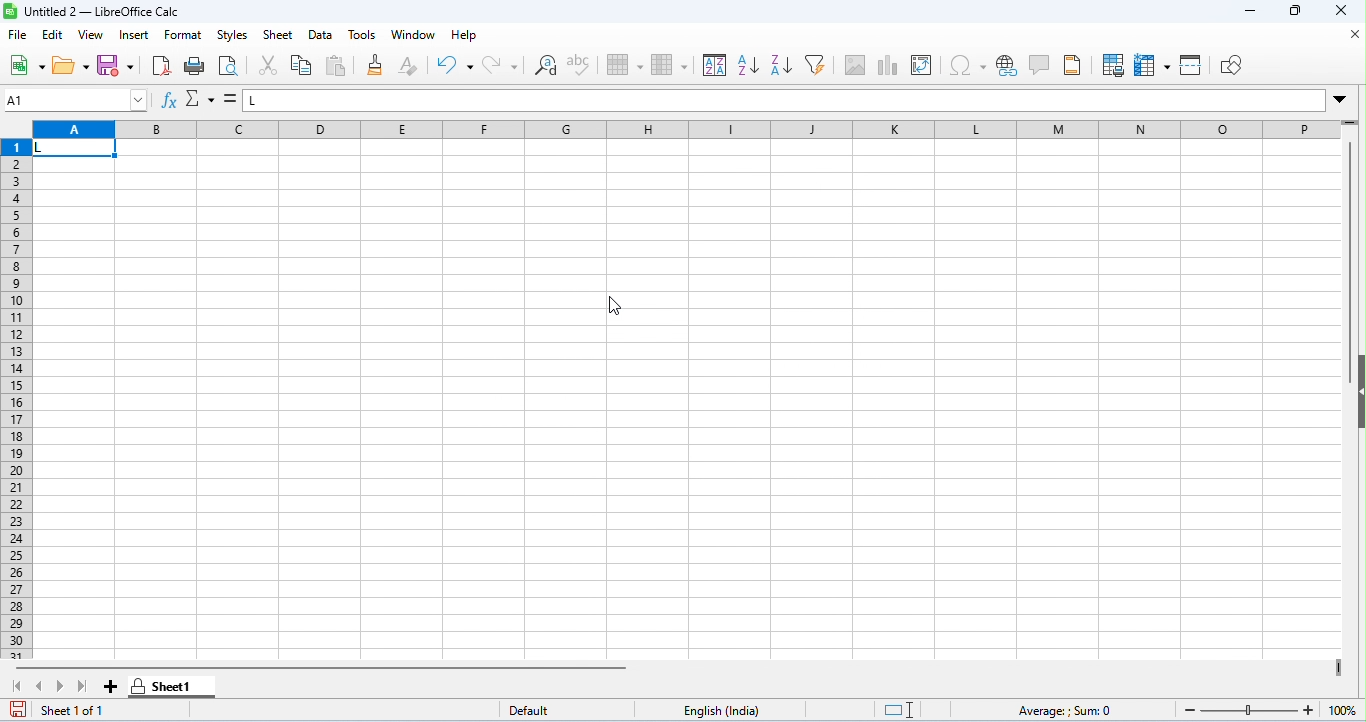 This screenshot has width=1366, height=722. I want to click on paste, so click(342, 67).